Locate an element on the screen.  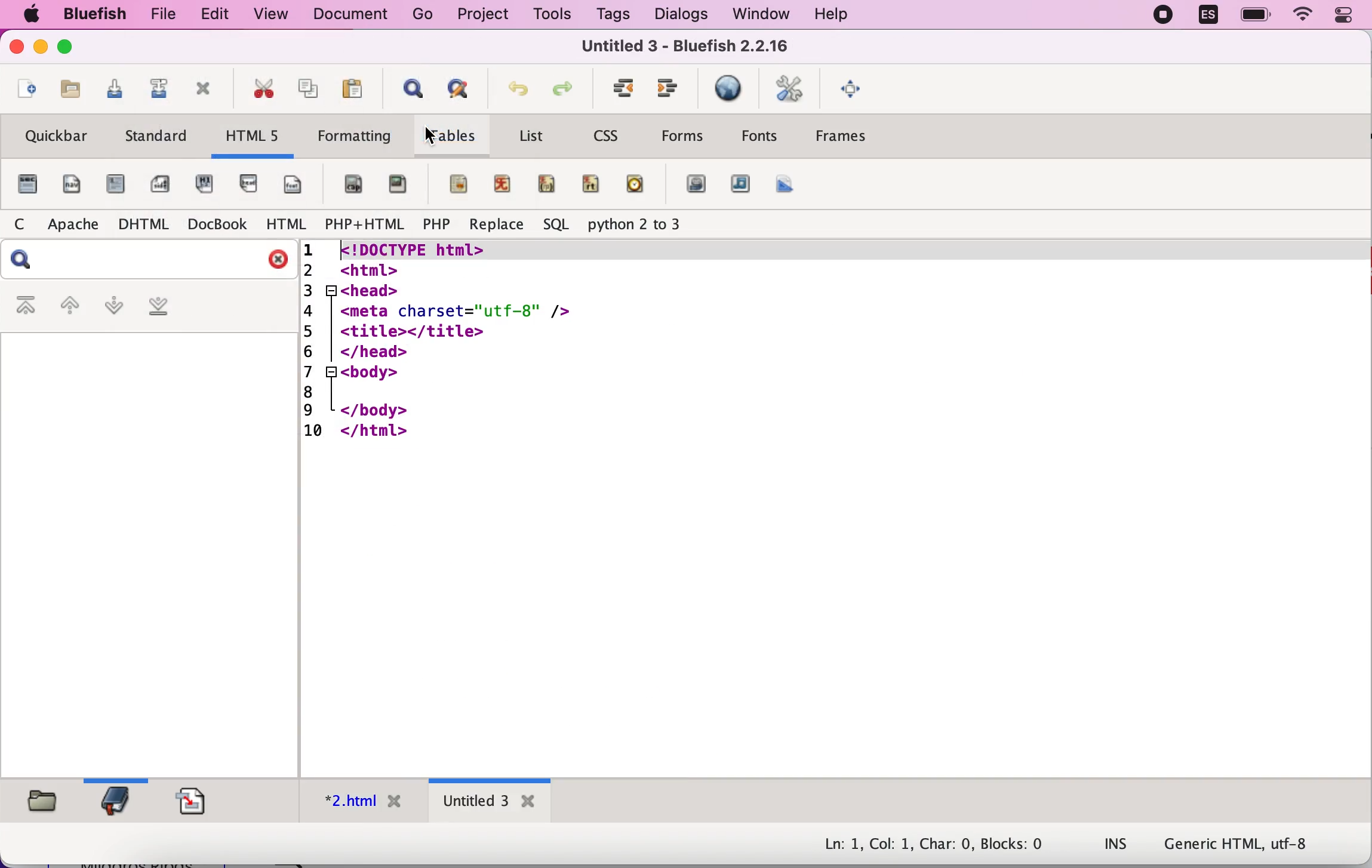
preview in browser is located at coordinates (729, 90).